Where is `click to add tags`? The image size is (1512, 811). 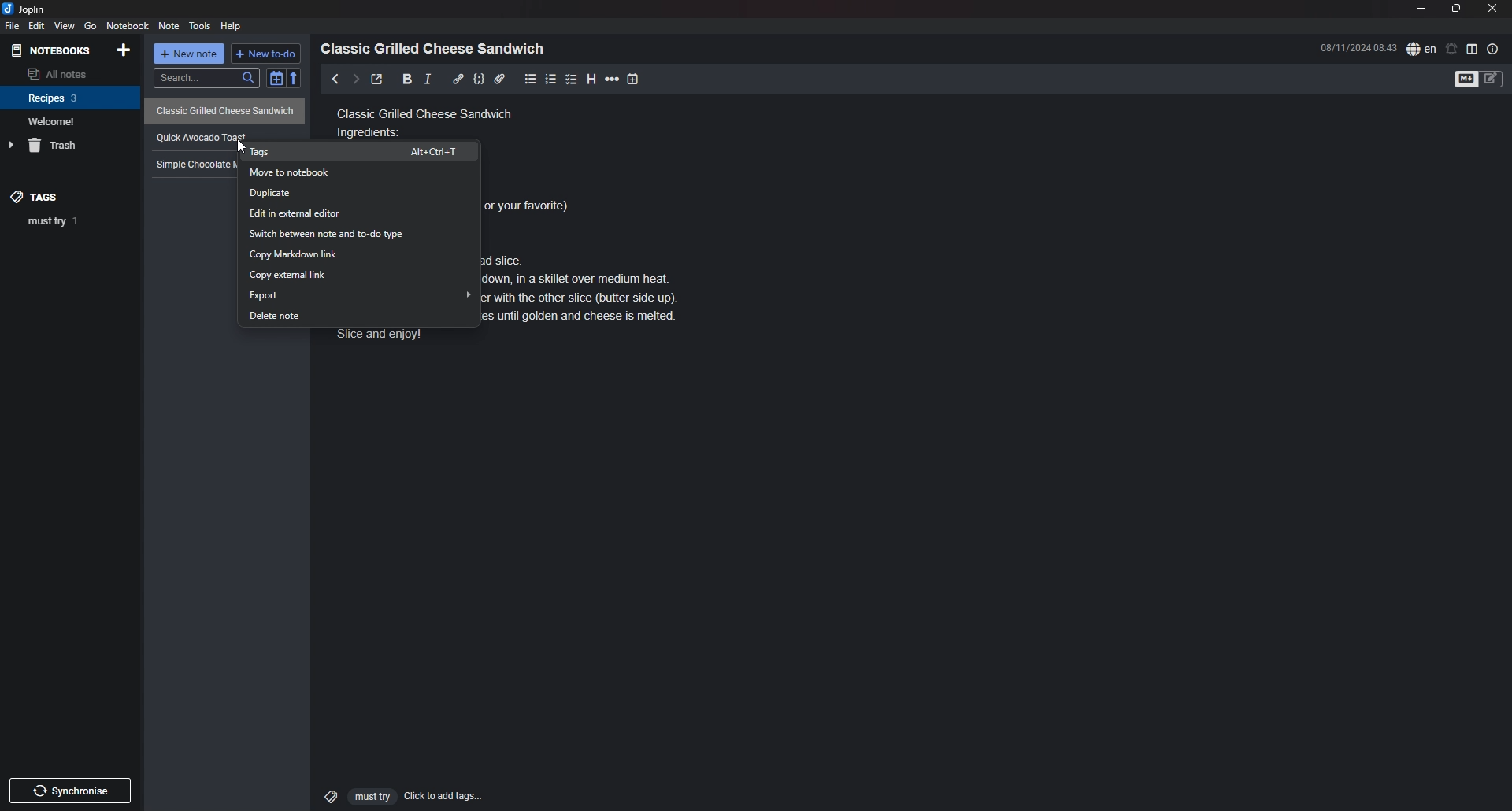
click to add tags is located at coordinates (396, 795).